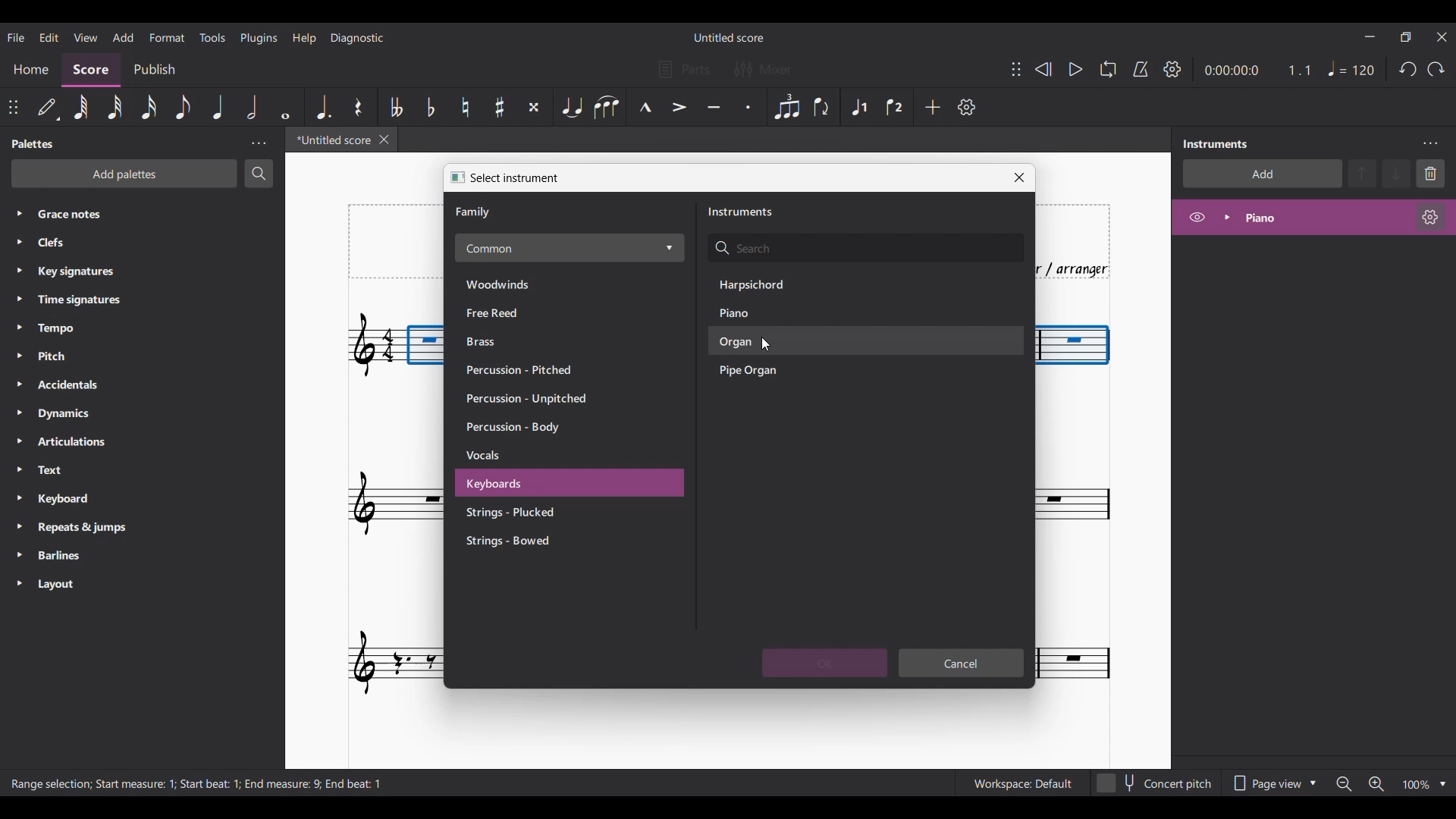  What do you see at coordinates (329, 140) in the screenshot?
I see `Current tab` at bounding box center [329, 140].